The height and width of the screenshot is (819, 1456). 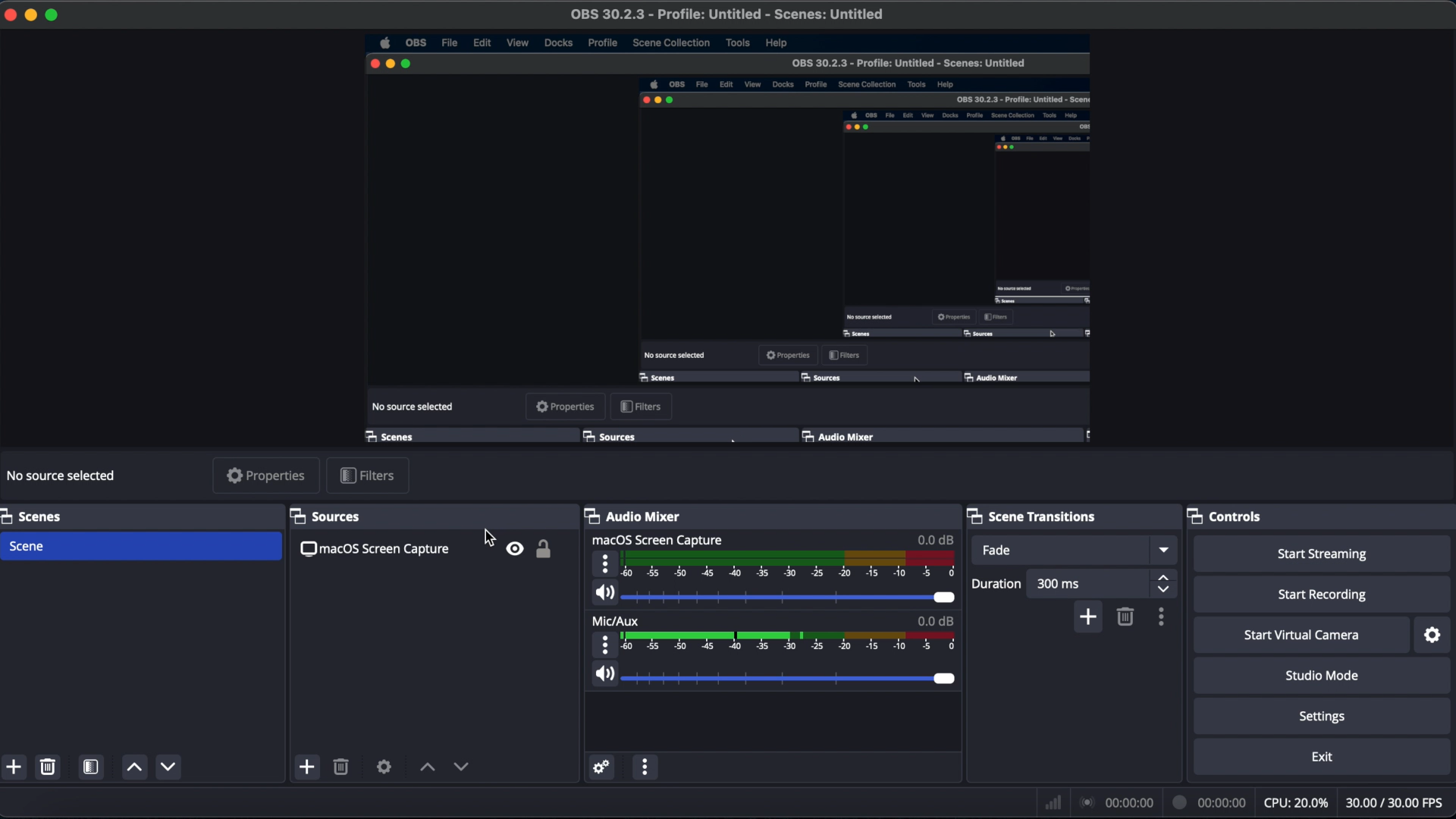 What do you see at coordinates (726, 14) in the screenshot?
I see `OBS untitled file` at bounding box center [726, 14].